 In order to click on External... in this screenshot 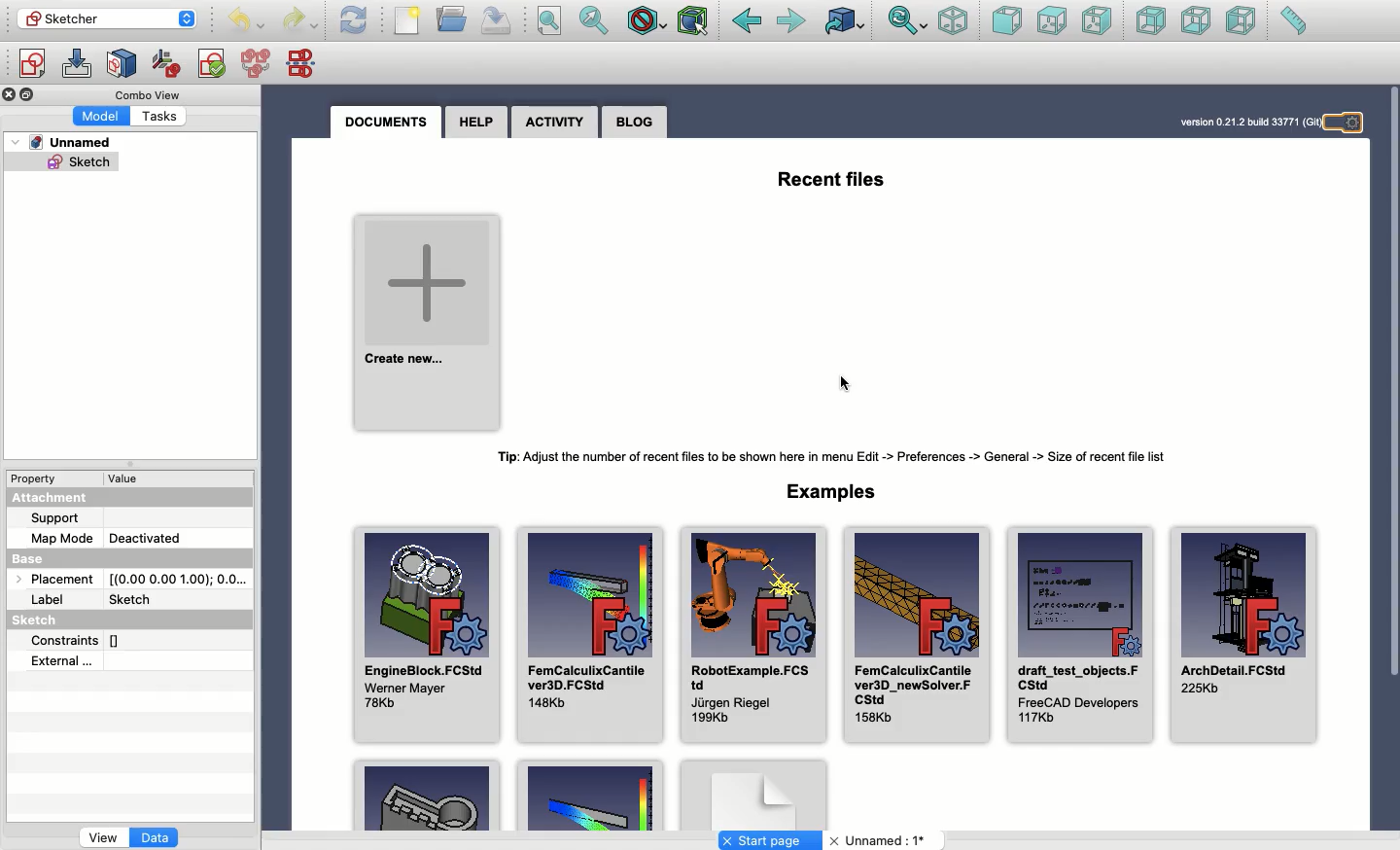, I will do `click(114, 662)`.